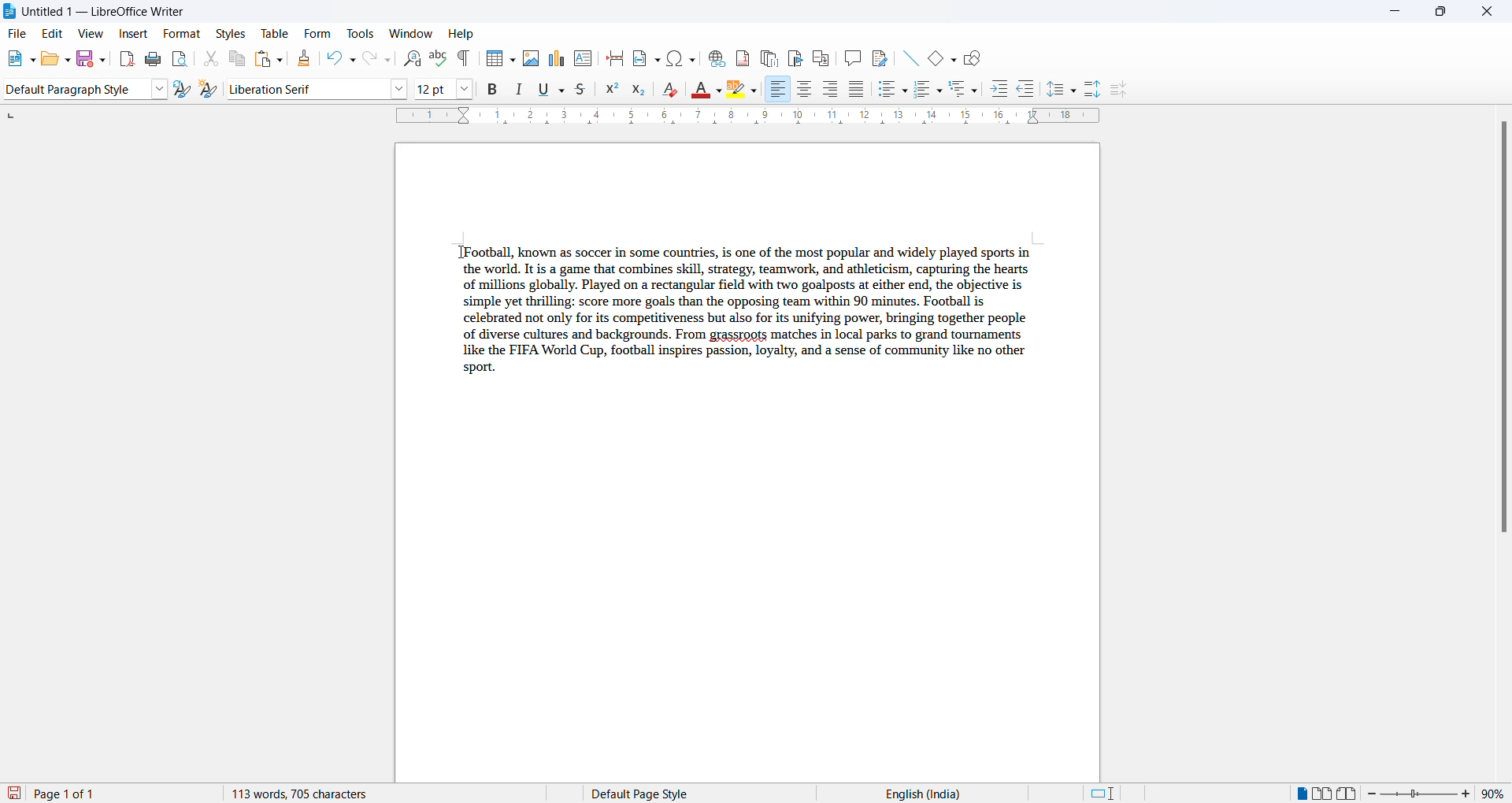 This screenshot has height=803, width=1512. What do you see at coordinates (519, 87) in the screenshot?
I see `italic` at bounding box center [519, 87].